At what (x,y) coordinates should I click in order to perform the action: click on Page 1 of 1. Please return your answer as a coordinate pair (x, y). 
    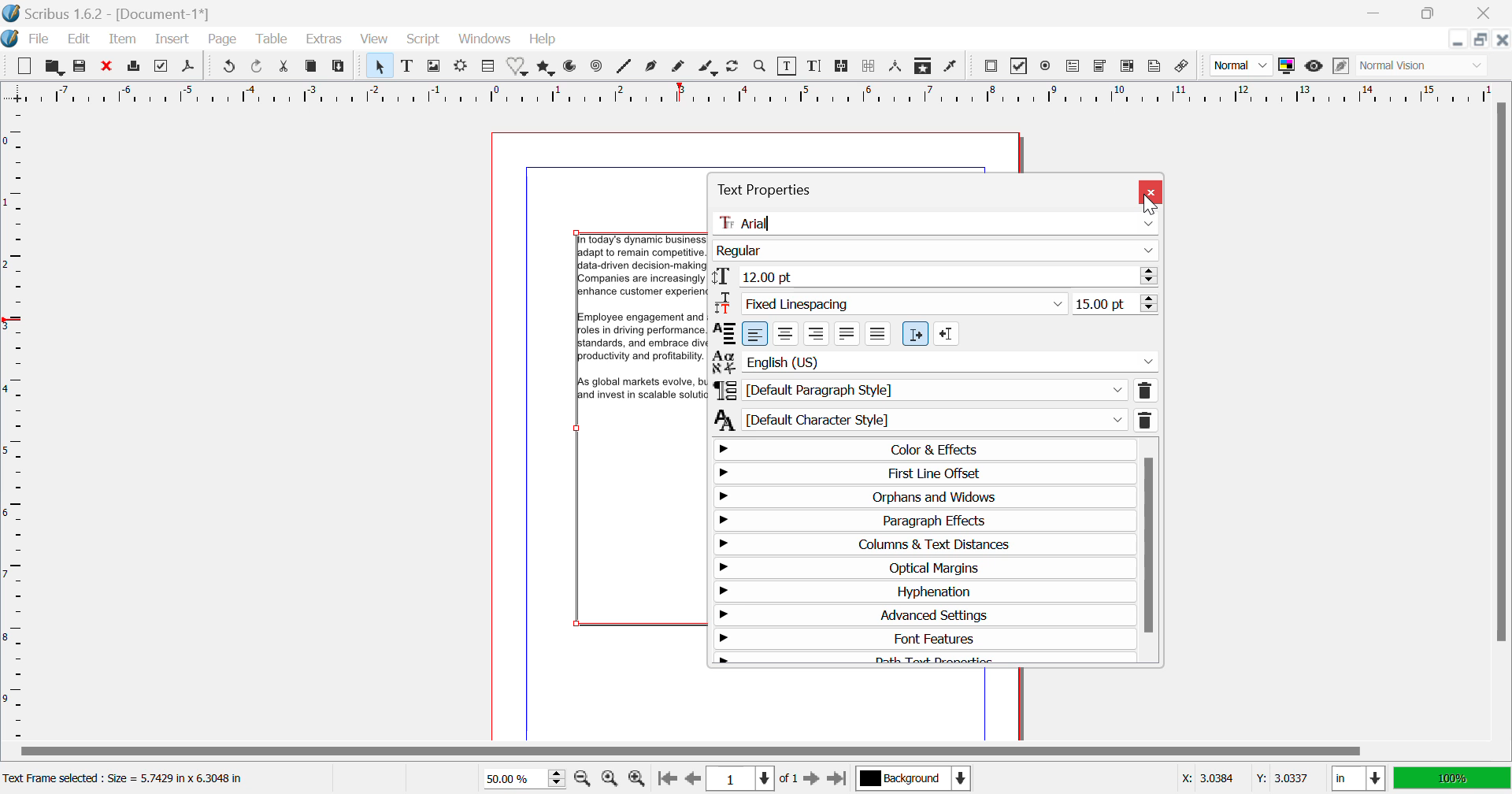
    Looking at the image, I should click on (755, 780).